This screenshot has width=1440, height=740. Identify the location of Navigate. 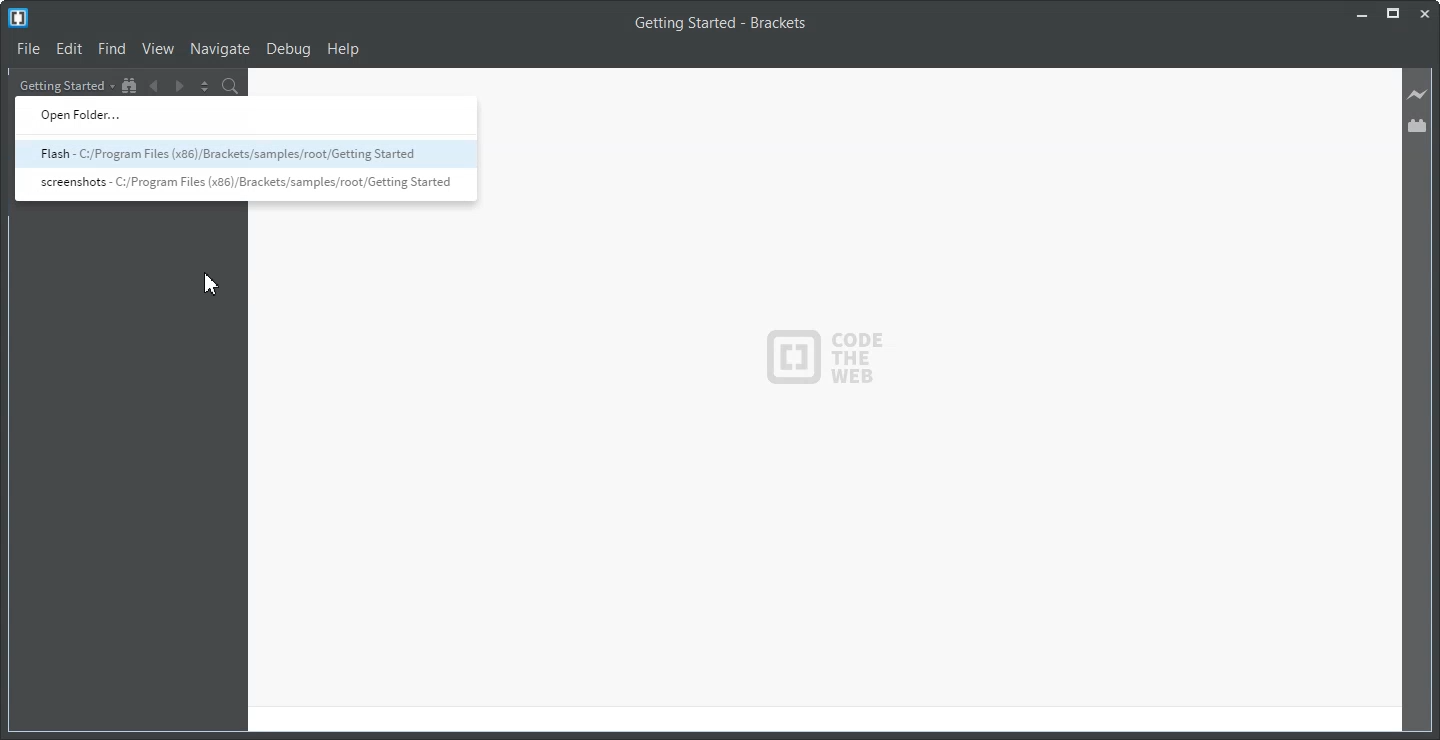
(220, 50).